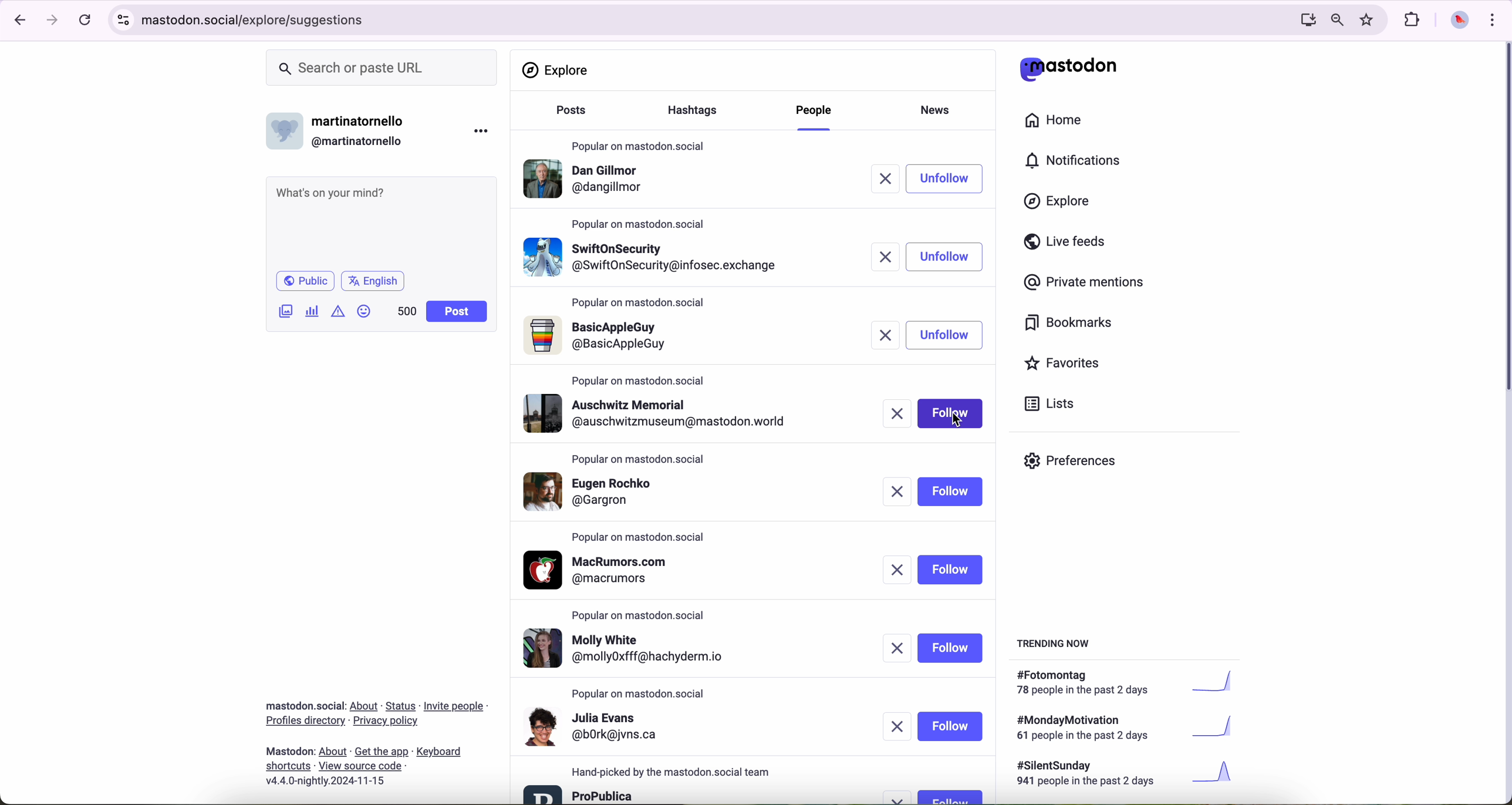 This screenshot has height=805, width=1512. What do you see at coordinates (595, 726) in the screenshot?
I see `profile` at bounding box center [595, 726].